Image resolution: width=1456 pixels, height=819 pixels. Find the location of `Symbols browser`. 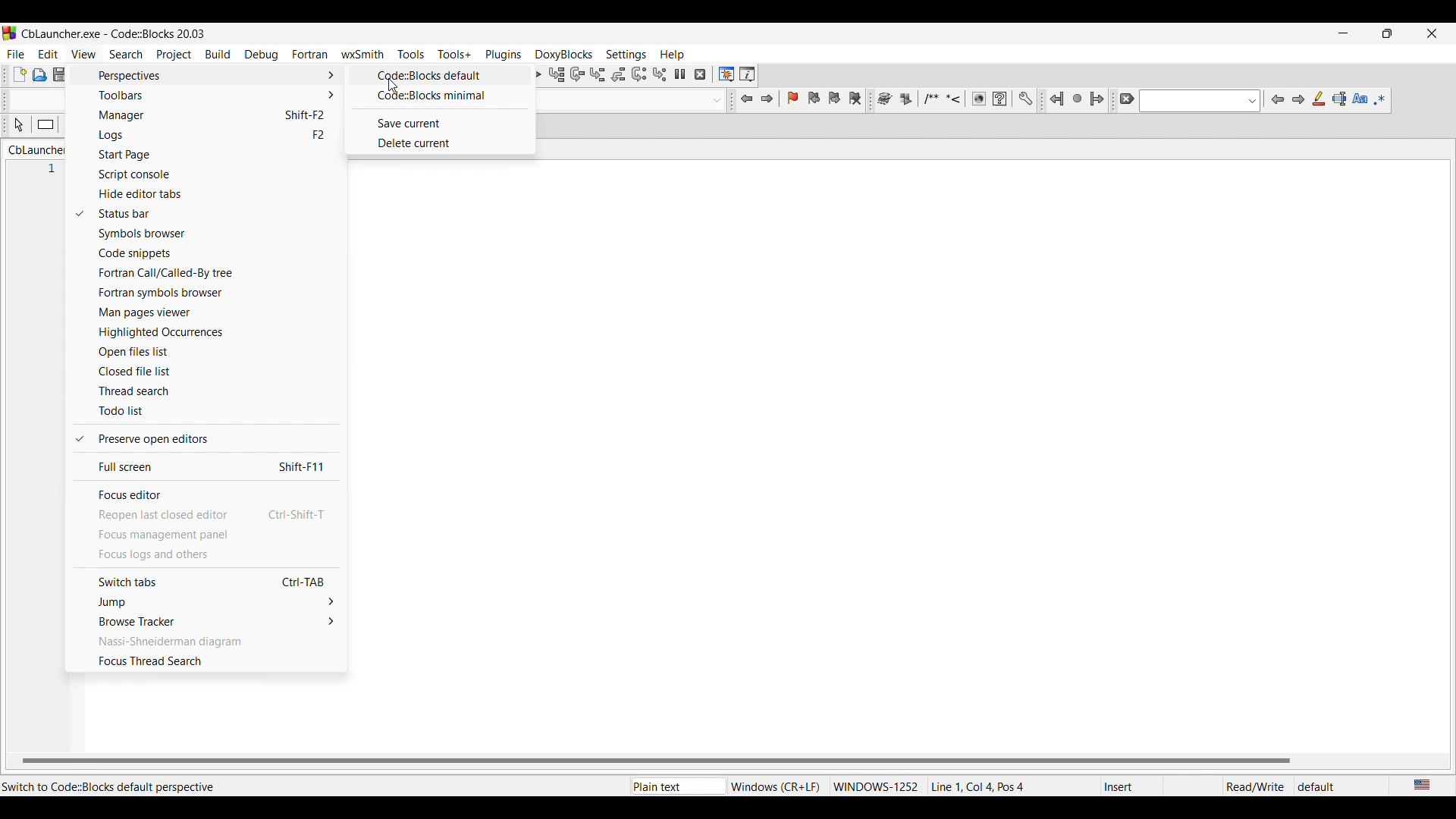

Symbols browser is located at coordinates (218, 234).